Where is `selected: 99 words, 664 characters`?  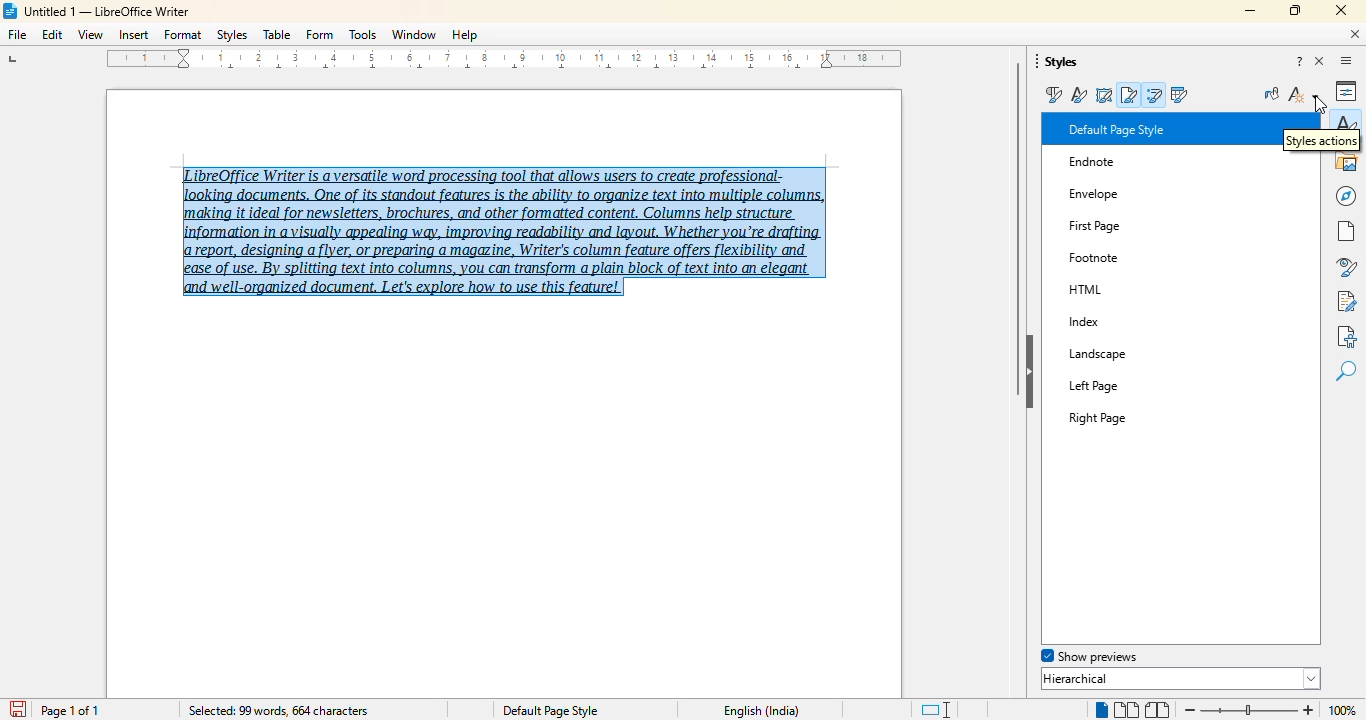
selected: 99 words, 664 characters is located at coordinates (277, 711).